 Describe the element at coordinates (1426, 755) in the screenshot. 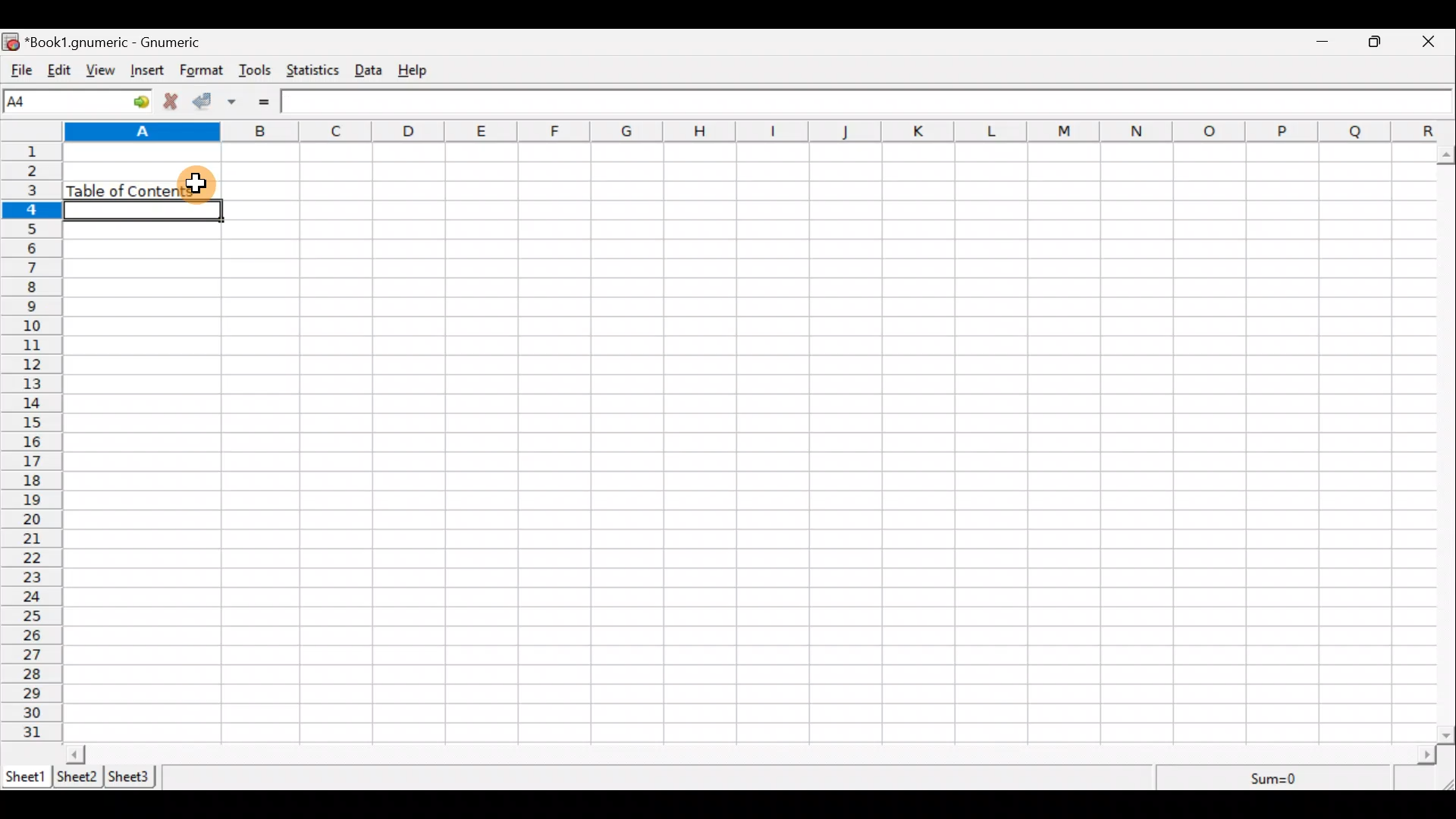

I see `scroll right` at that location.